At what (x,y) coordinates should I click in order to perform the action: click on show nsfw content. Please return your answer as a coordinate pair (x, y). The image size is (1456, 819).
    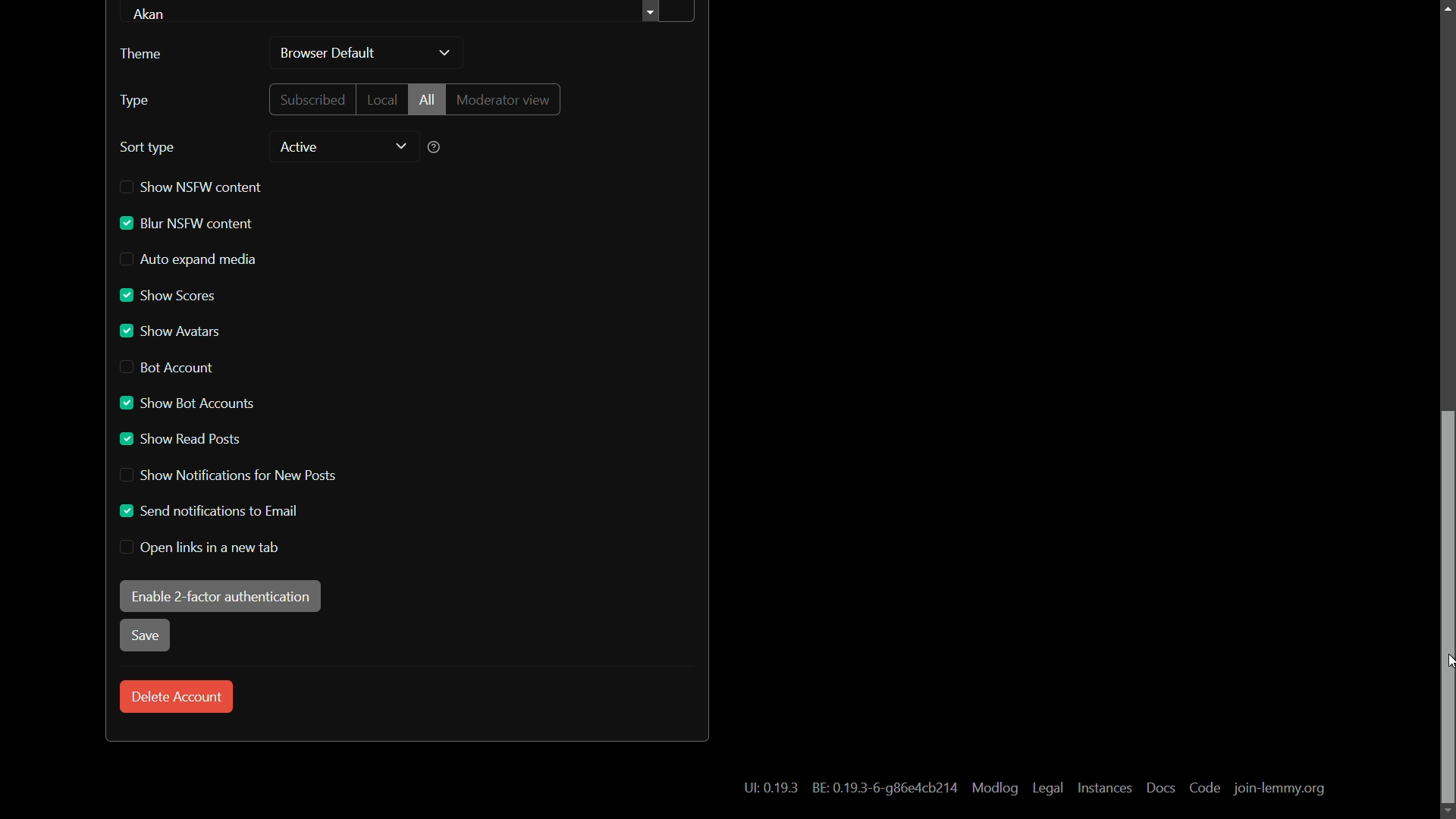
    Looking at the image, I should click on (192, 187).